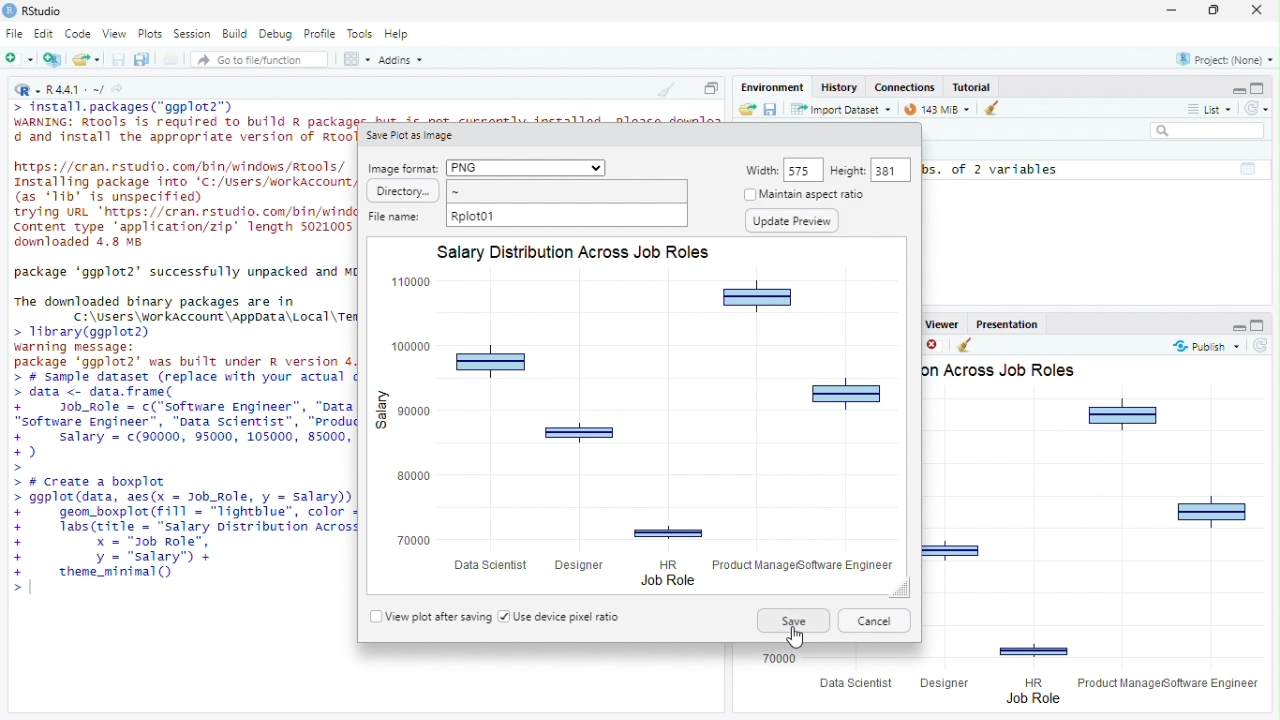 The width and height of the screenshot is (1280, 720). Describe the element at coordinates (558, 618) in the screenshot. I see `use device pixel ratio` at that location.